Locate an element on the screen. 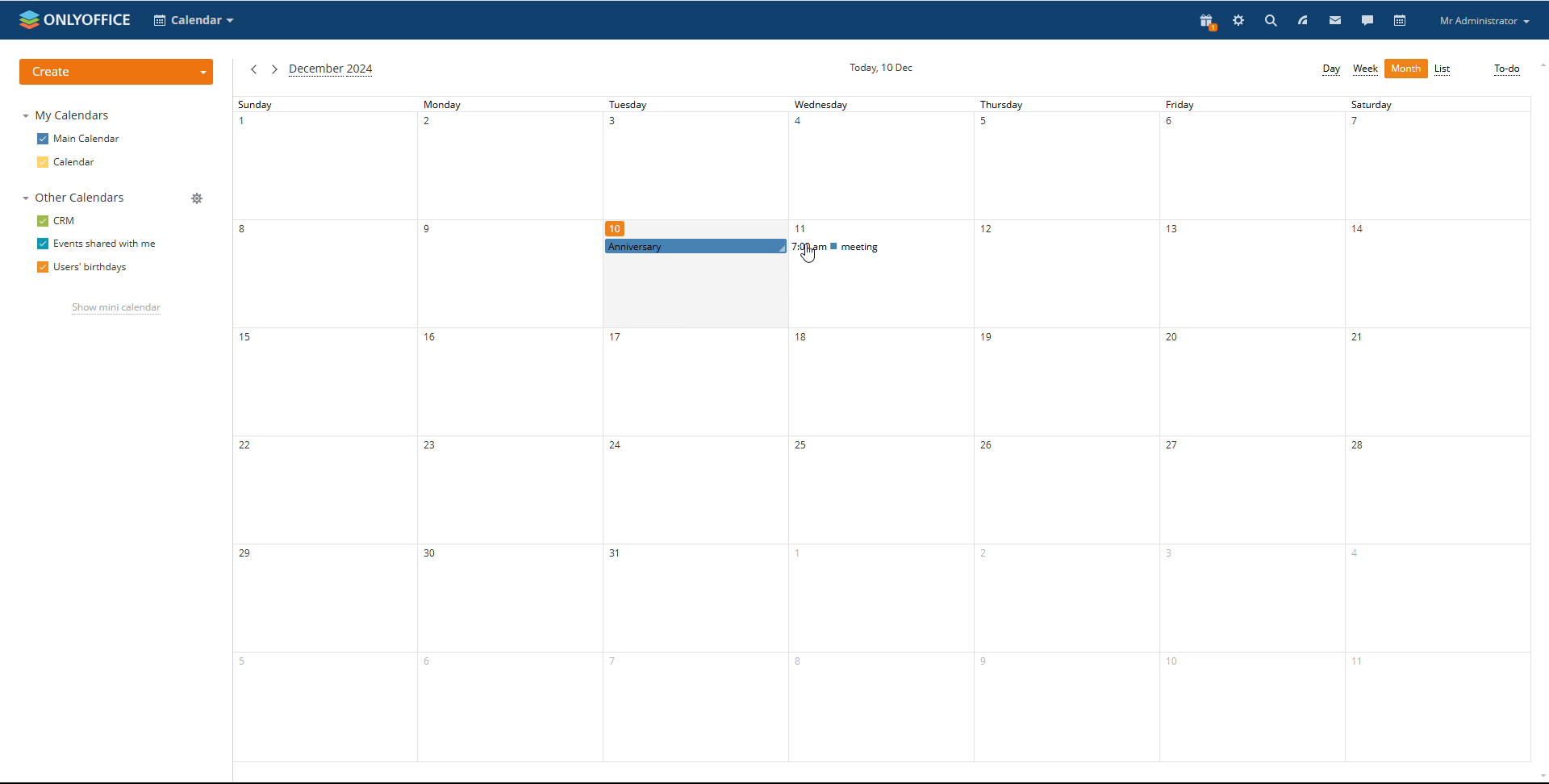 Image resolution: width=1549 pixels, height=784 pixels. settings is located at coordinates (1238, 20).